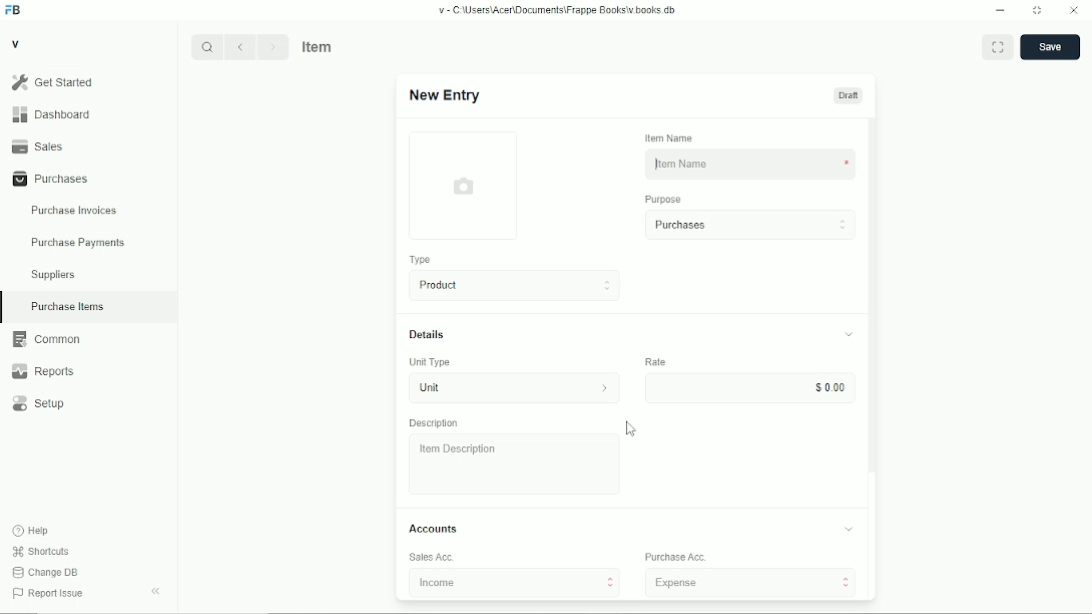 Image resolution: width=1092 pixels, height=614 pixels. Describe the element at coordinates (74, 211) in the screenshot. I see `purchase invoices` at that location.